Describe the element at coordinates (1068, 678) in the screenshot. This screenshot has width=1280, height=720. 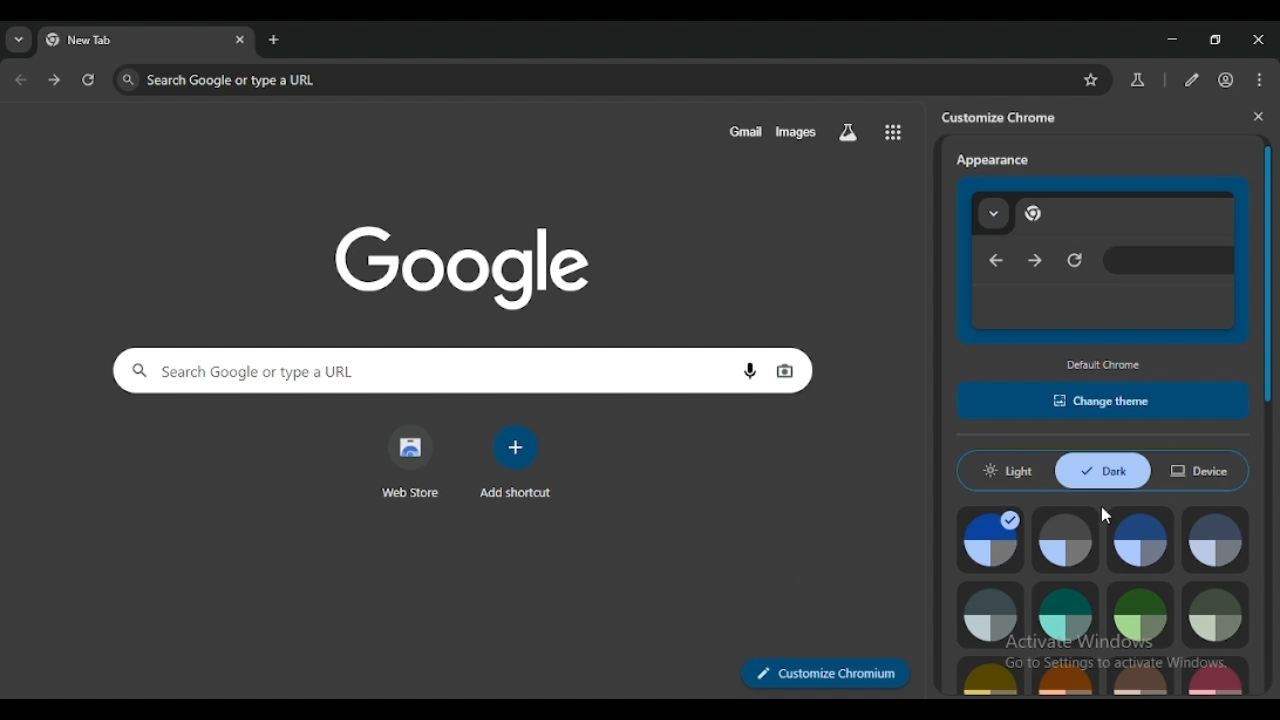
I see `orange` at that location.